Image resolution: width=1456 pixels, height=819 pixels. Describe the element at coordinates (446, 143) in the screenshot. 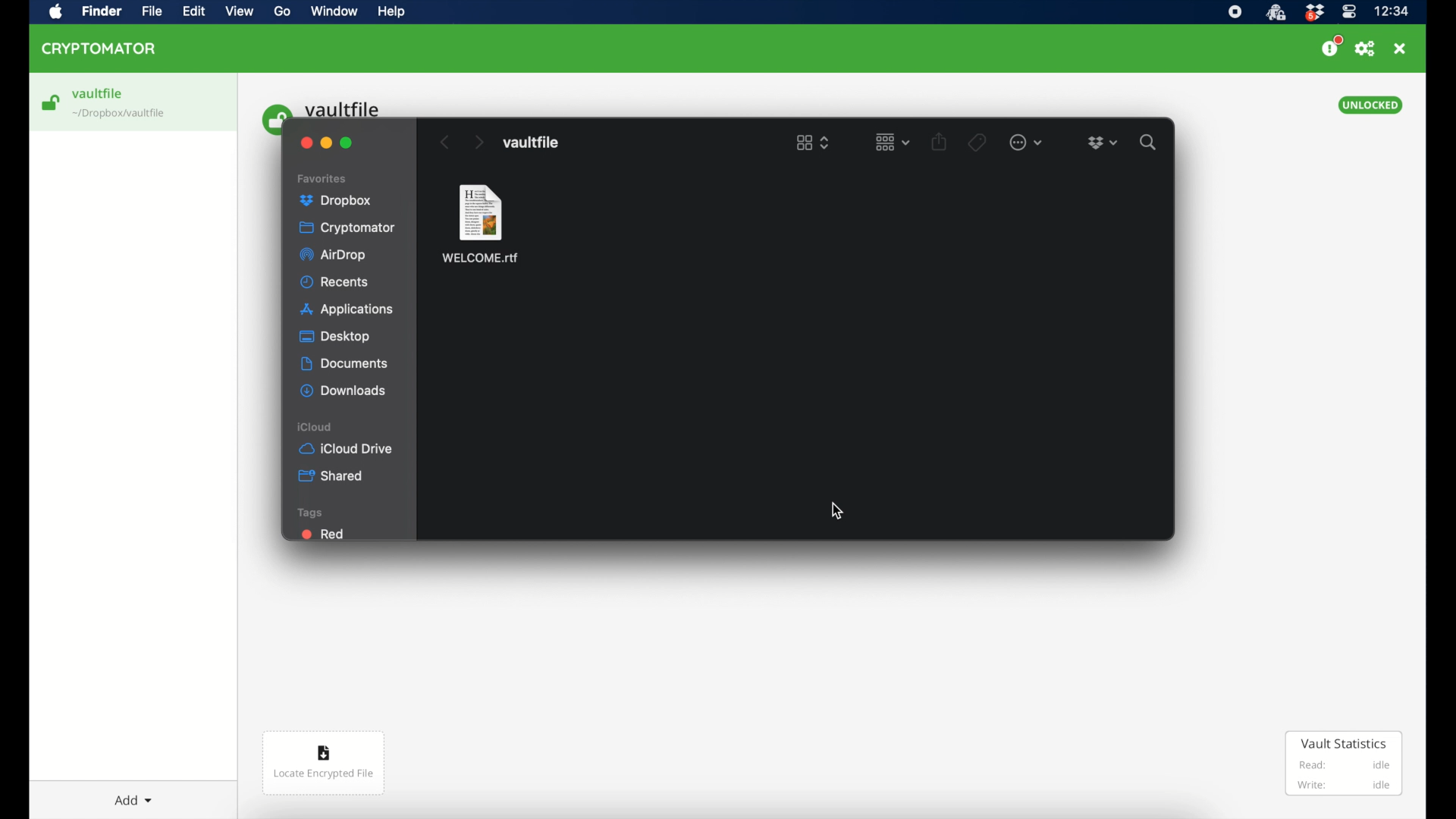

I see `previous` at that location.